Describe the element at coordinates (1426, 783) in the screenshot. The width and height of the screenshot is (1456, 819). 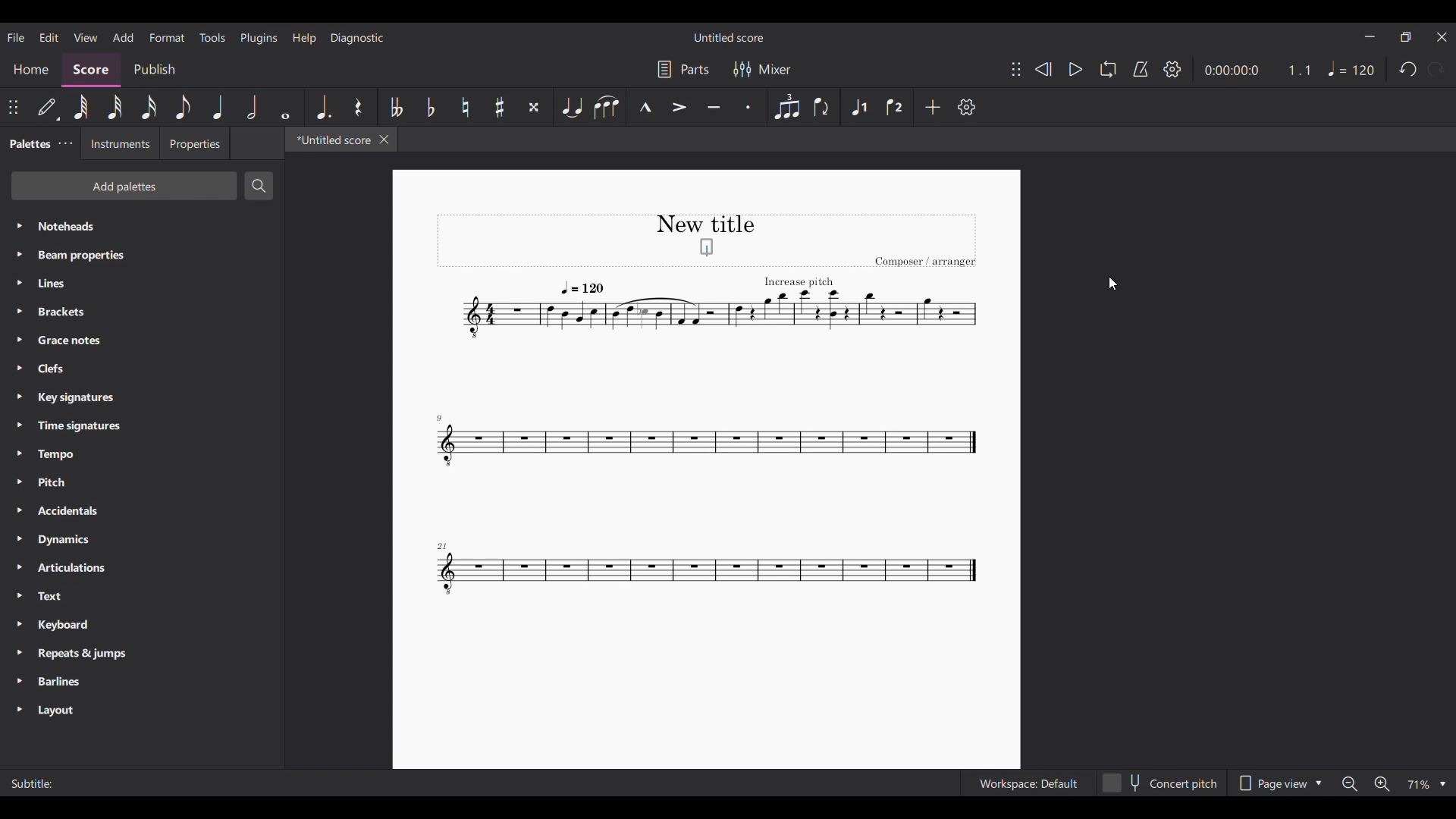
I see `Zoom options` at that location.